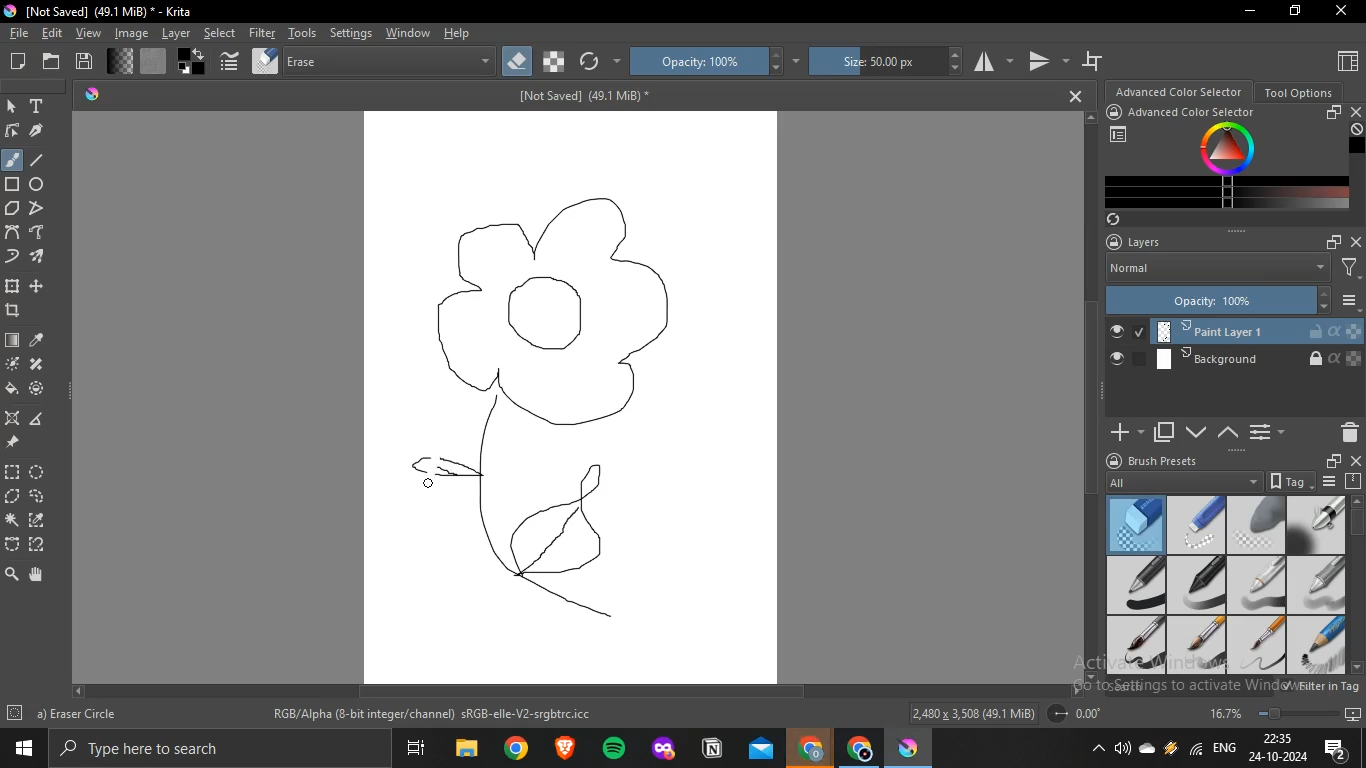 This screenshot has height=768, width=1366. Describe the element at coordinates (1045, 65) in the screenshot. I see `vertical mirror tool` at that location.